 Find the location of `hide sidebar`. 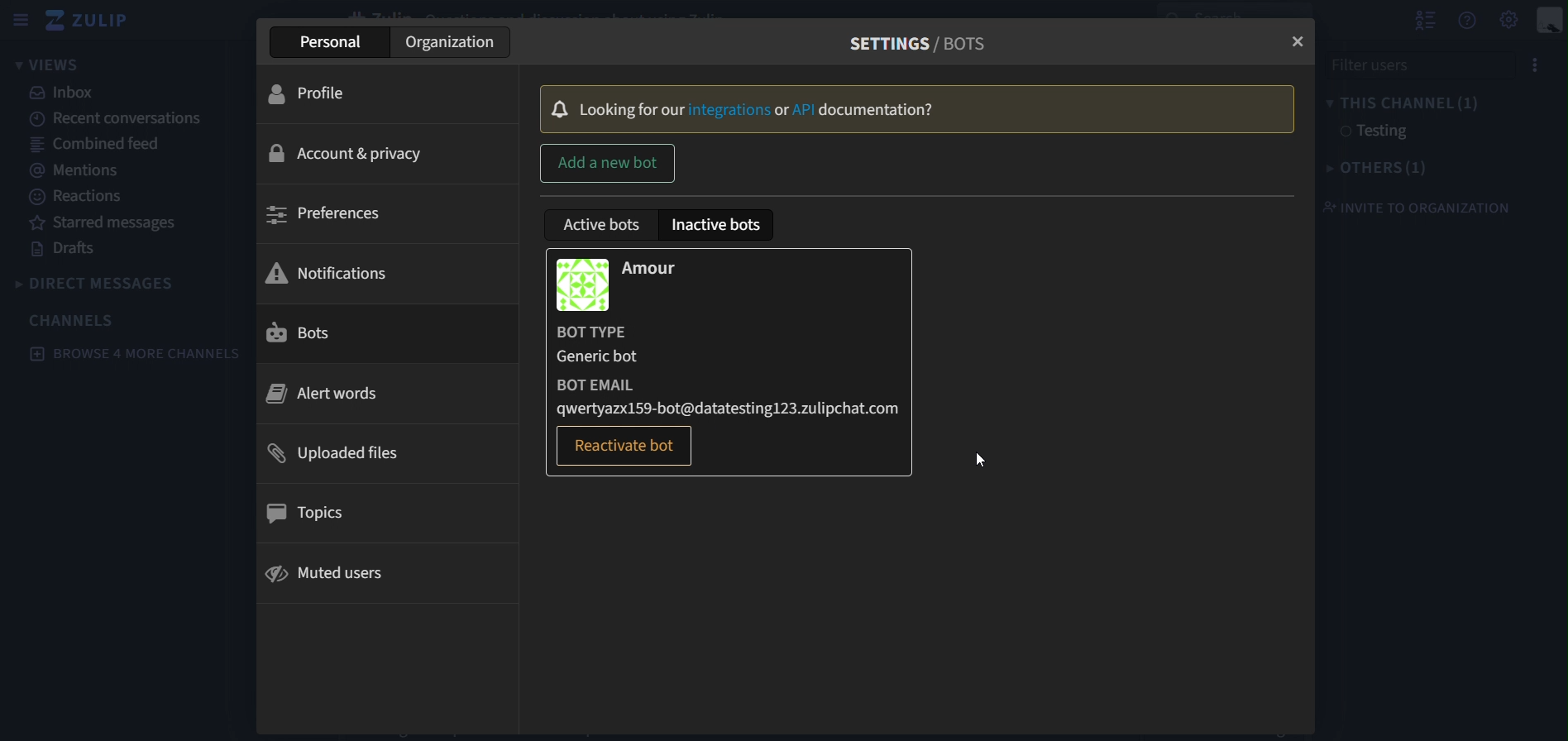

hide sidebar is located at coordinates (17, 22).